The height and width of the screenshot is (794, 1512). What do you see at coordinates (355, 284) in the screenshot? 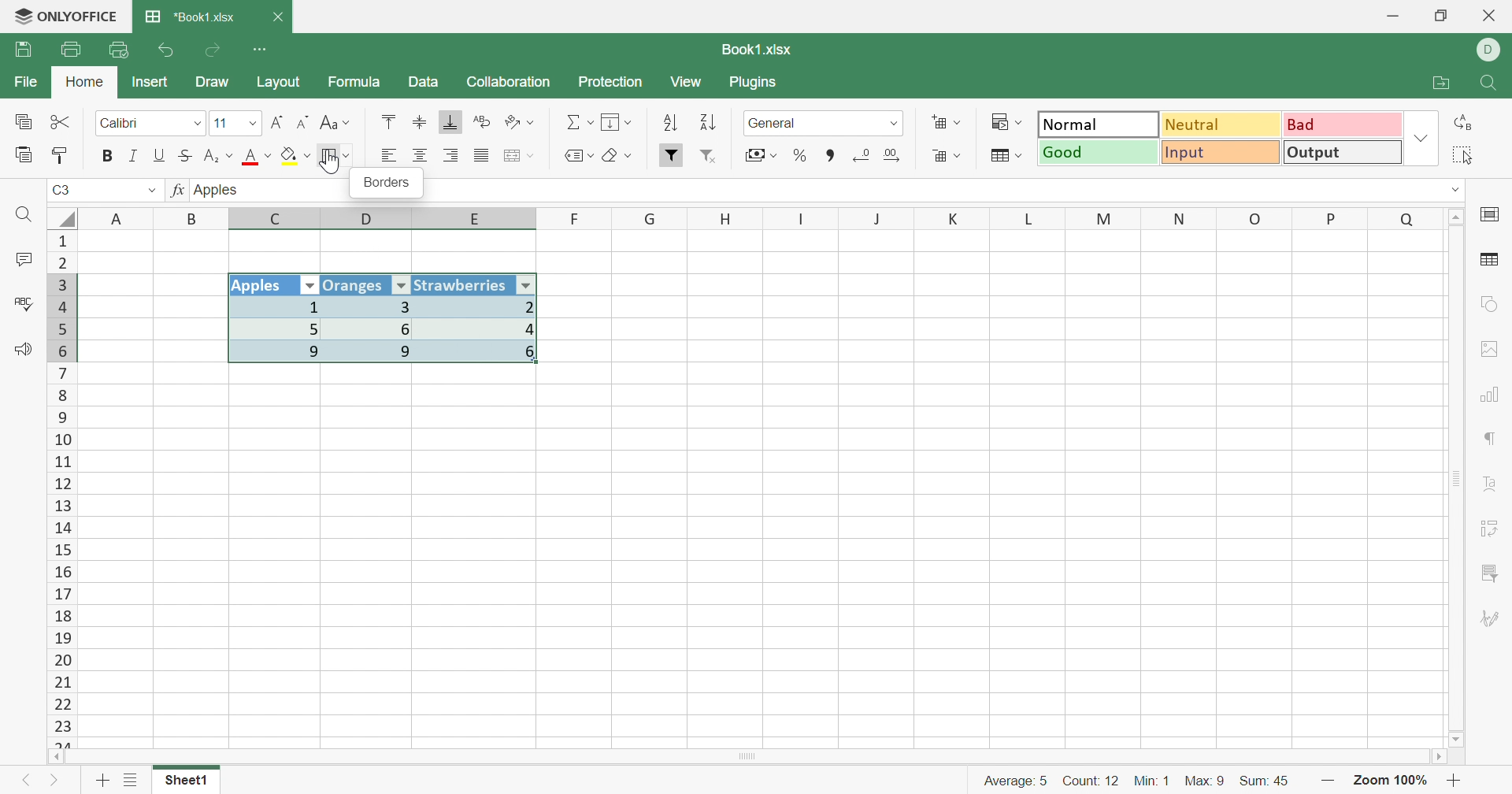
I see `Oranges` at bounding box center [355, 284].